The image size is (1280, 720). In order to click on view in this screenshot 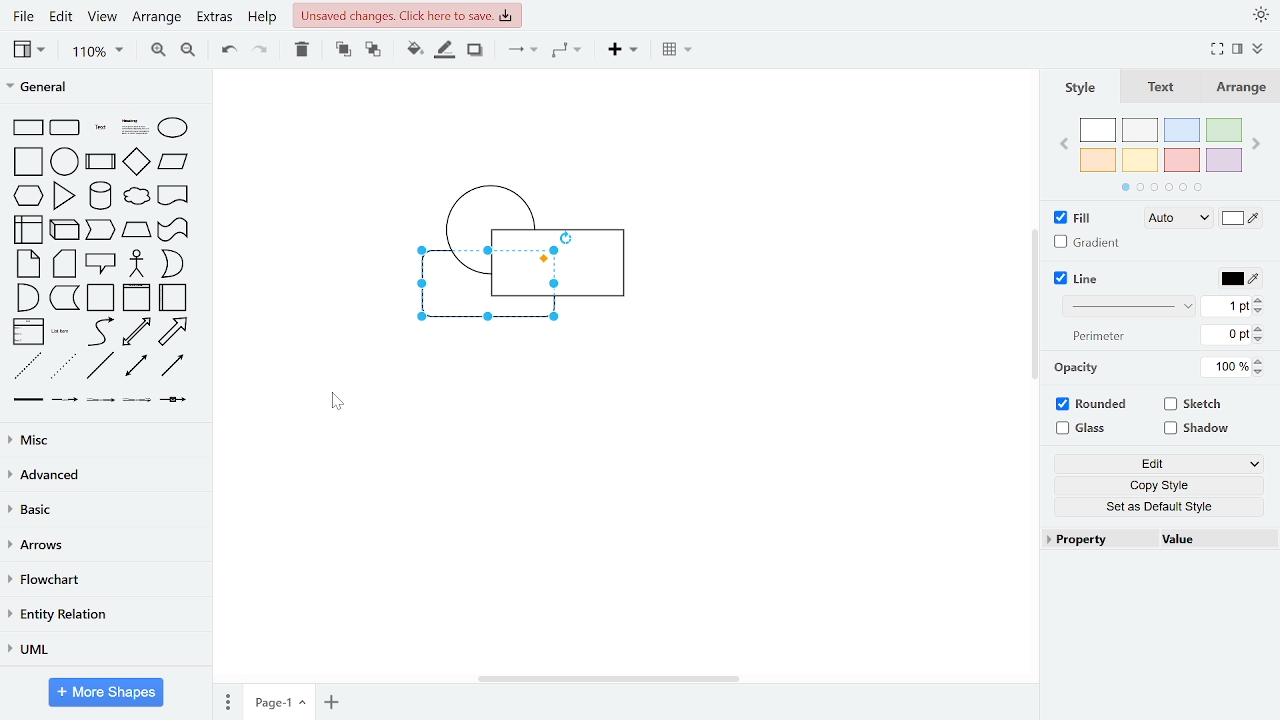, I will do `click(102, 17)`.